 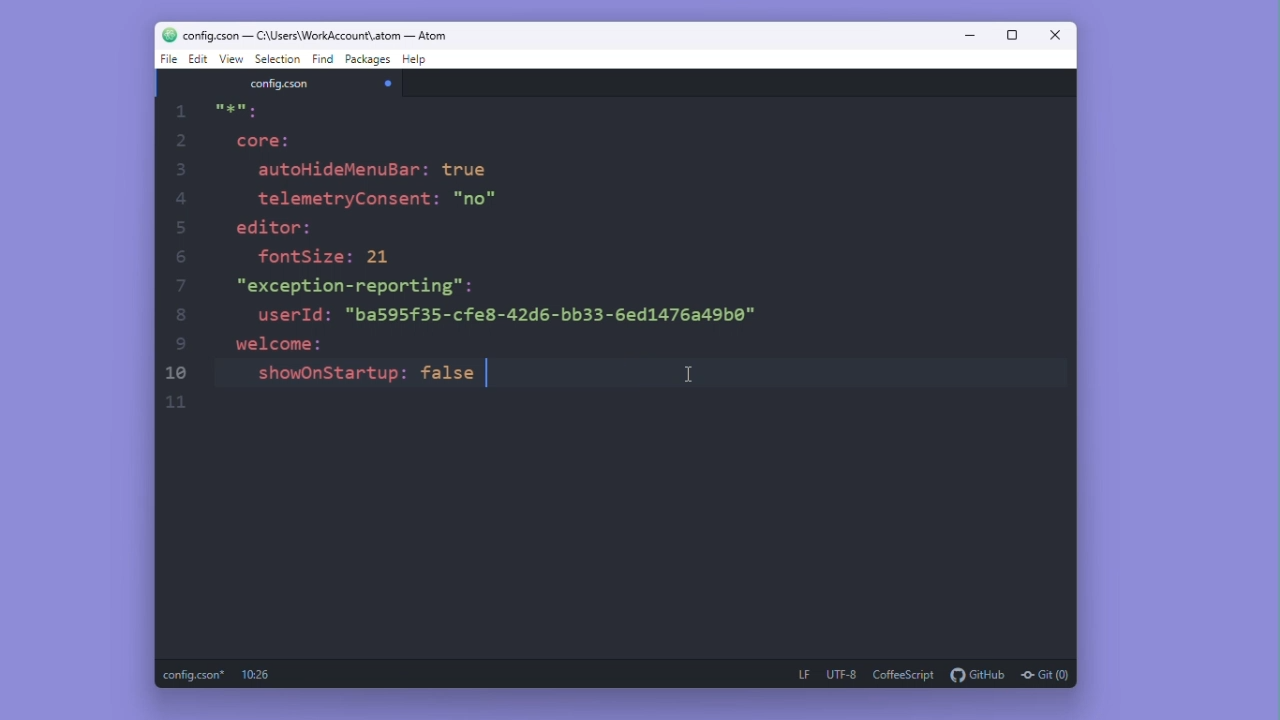 What do you see at coordinates (279, 60) in the screenshot?
I see `Selection` at bounding box center [279, 60].